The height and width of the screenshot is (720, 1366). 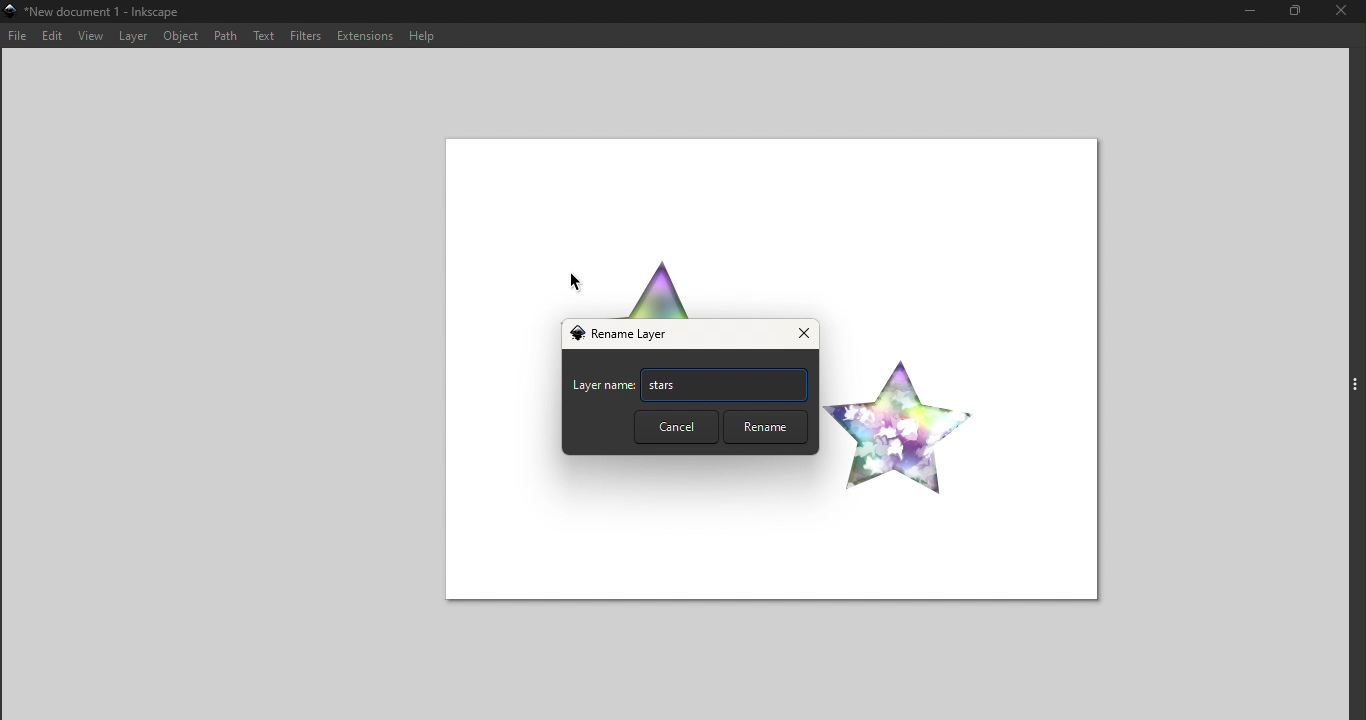 What do you see at coordinates (306, 35) in the screenshot?
I see `filters` at bounding box center [306, 35].